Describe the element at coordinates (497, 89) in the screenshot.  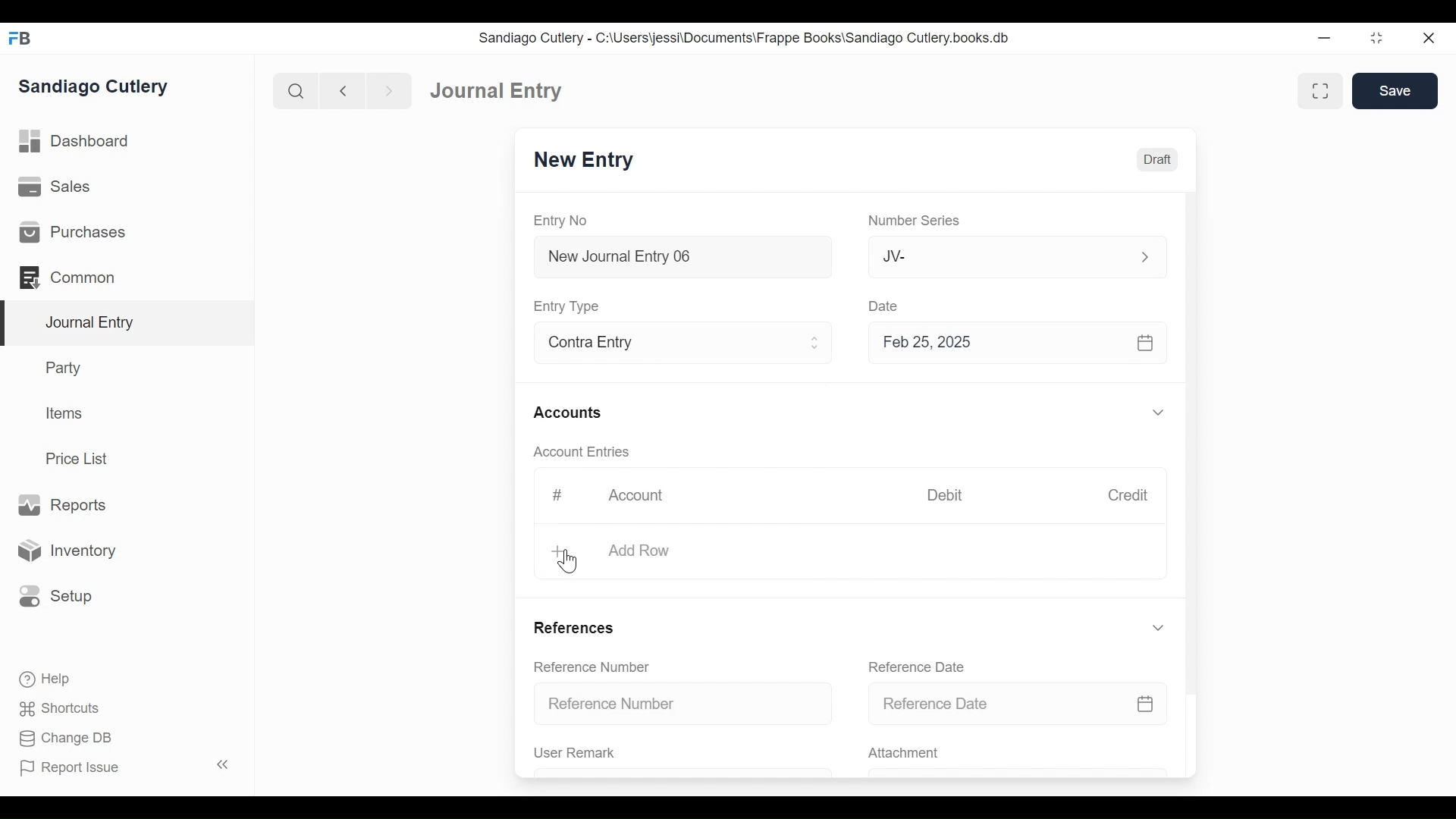
I see `Journal Entry` at that location.